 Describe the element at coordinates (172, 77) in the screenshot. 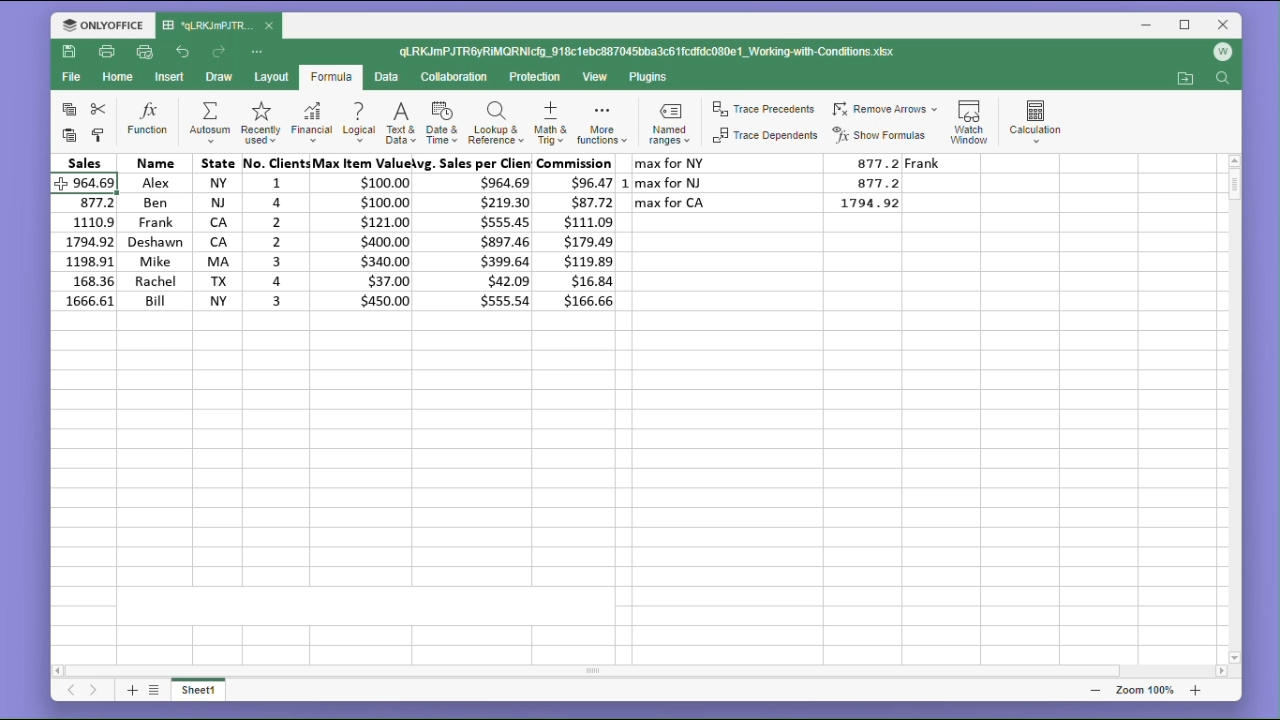

I see `insert` at that location.